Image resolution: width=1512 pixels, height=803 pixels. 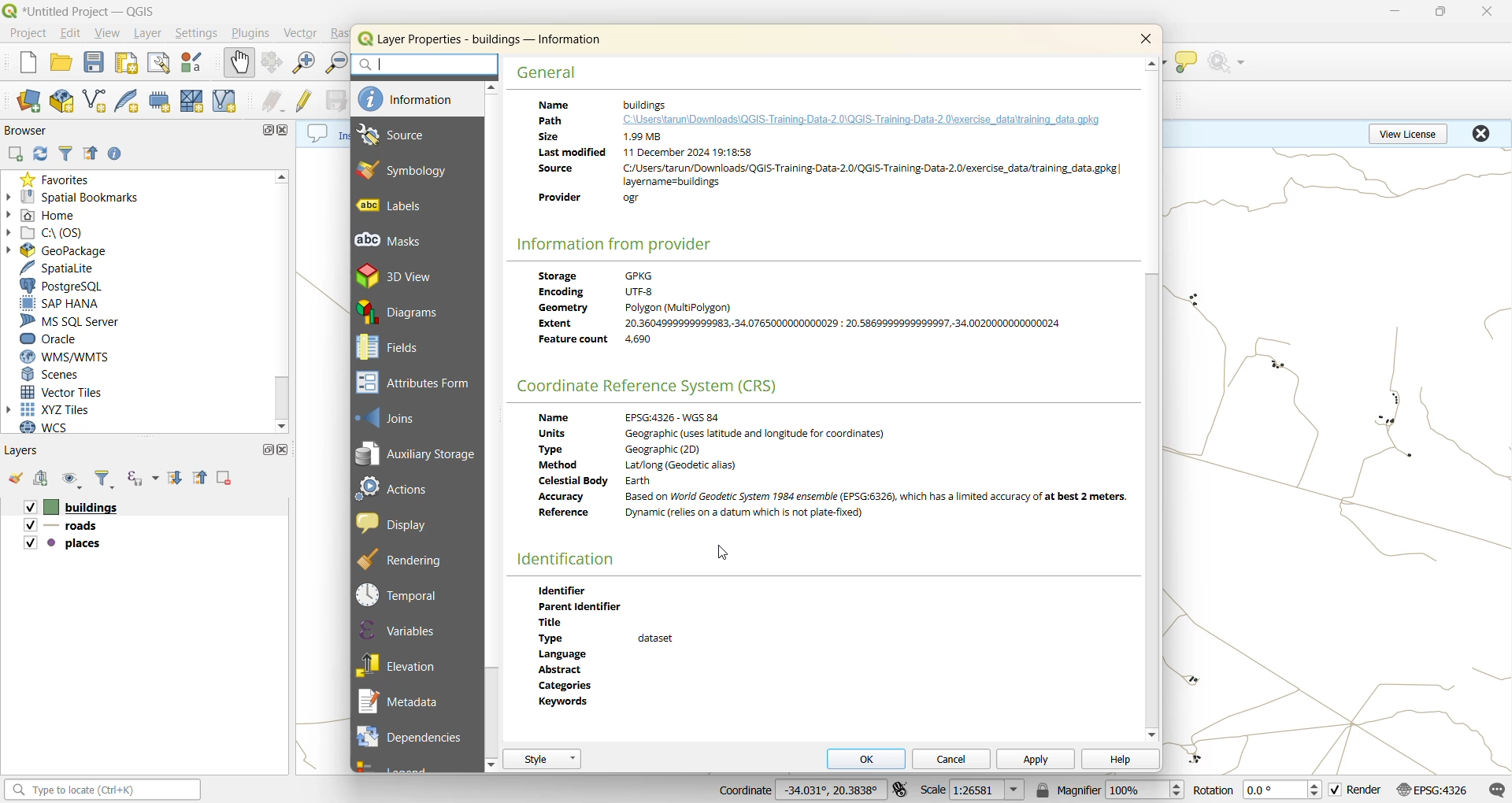 I want to click on ms sql server, so click(x=69, y=321).